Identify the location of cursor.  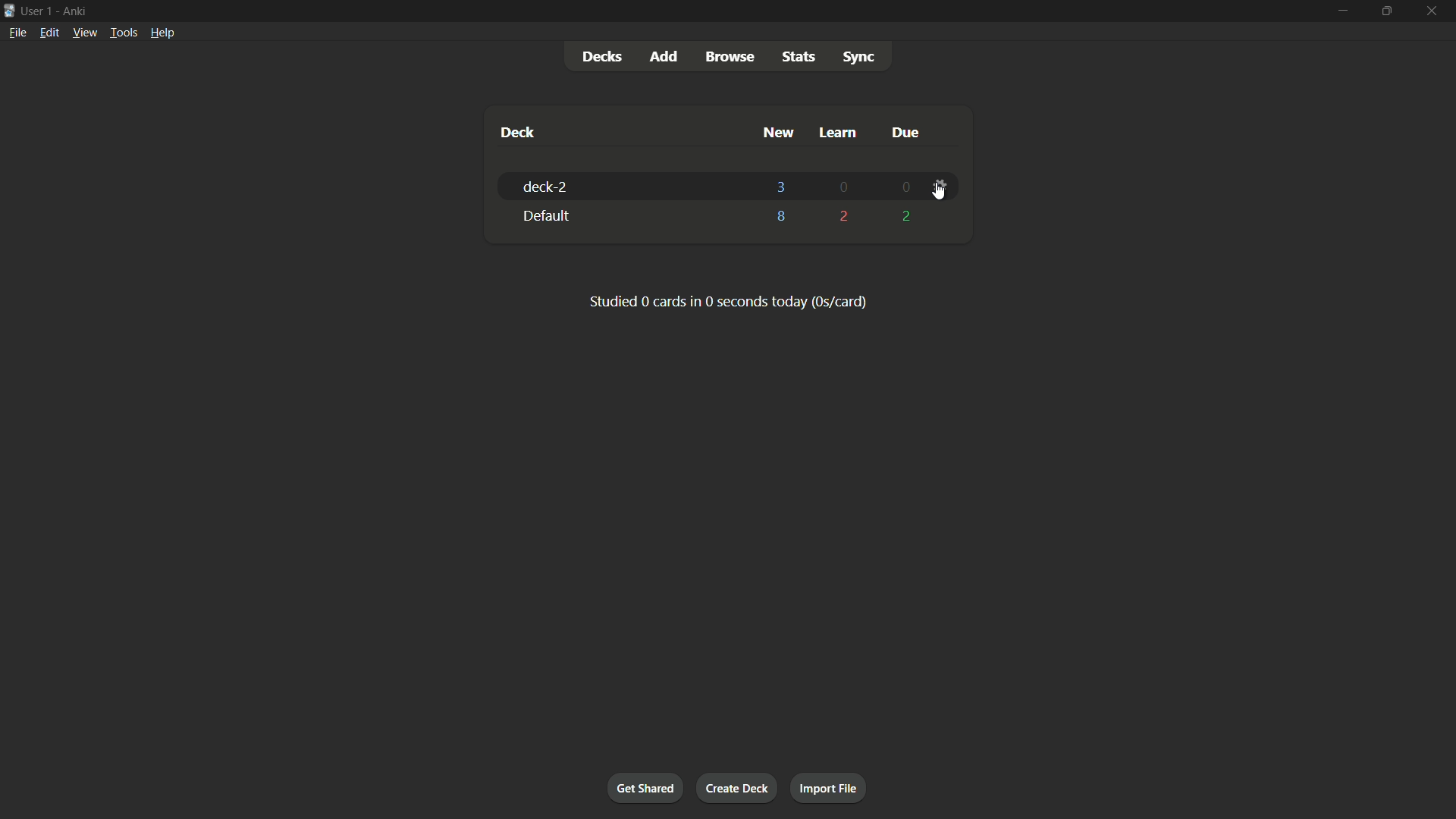
(940, 193).